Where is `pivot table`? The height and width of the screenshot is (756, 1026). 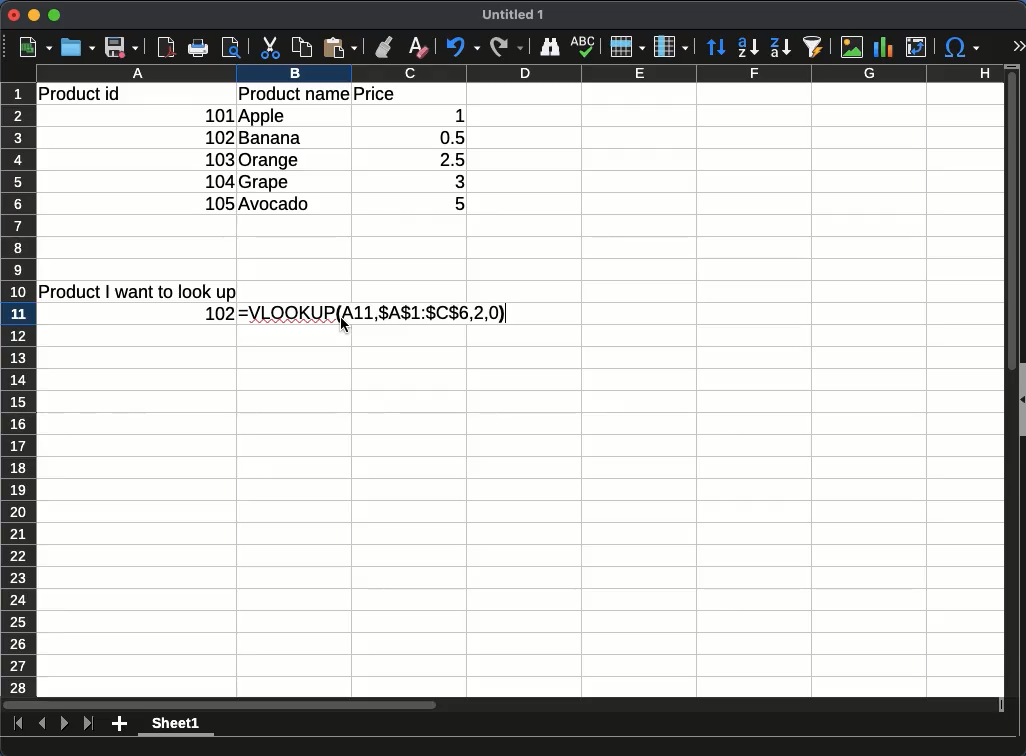
pivot table is located at coordinates (917, 47).